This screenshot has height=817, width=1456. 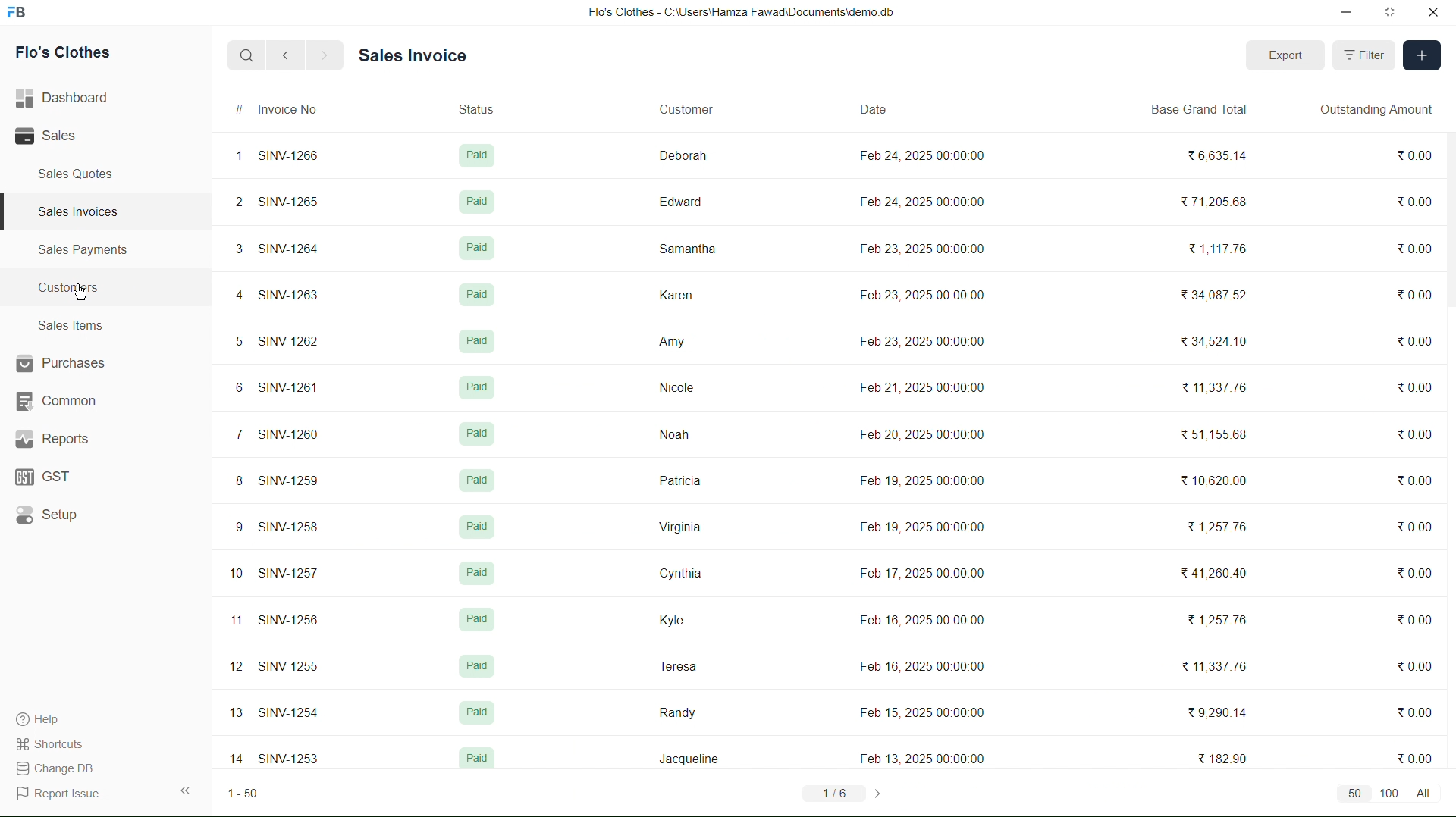 I want to click on Feb 24, 2025 00:00:00, so click(x=924, y=155).